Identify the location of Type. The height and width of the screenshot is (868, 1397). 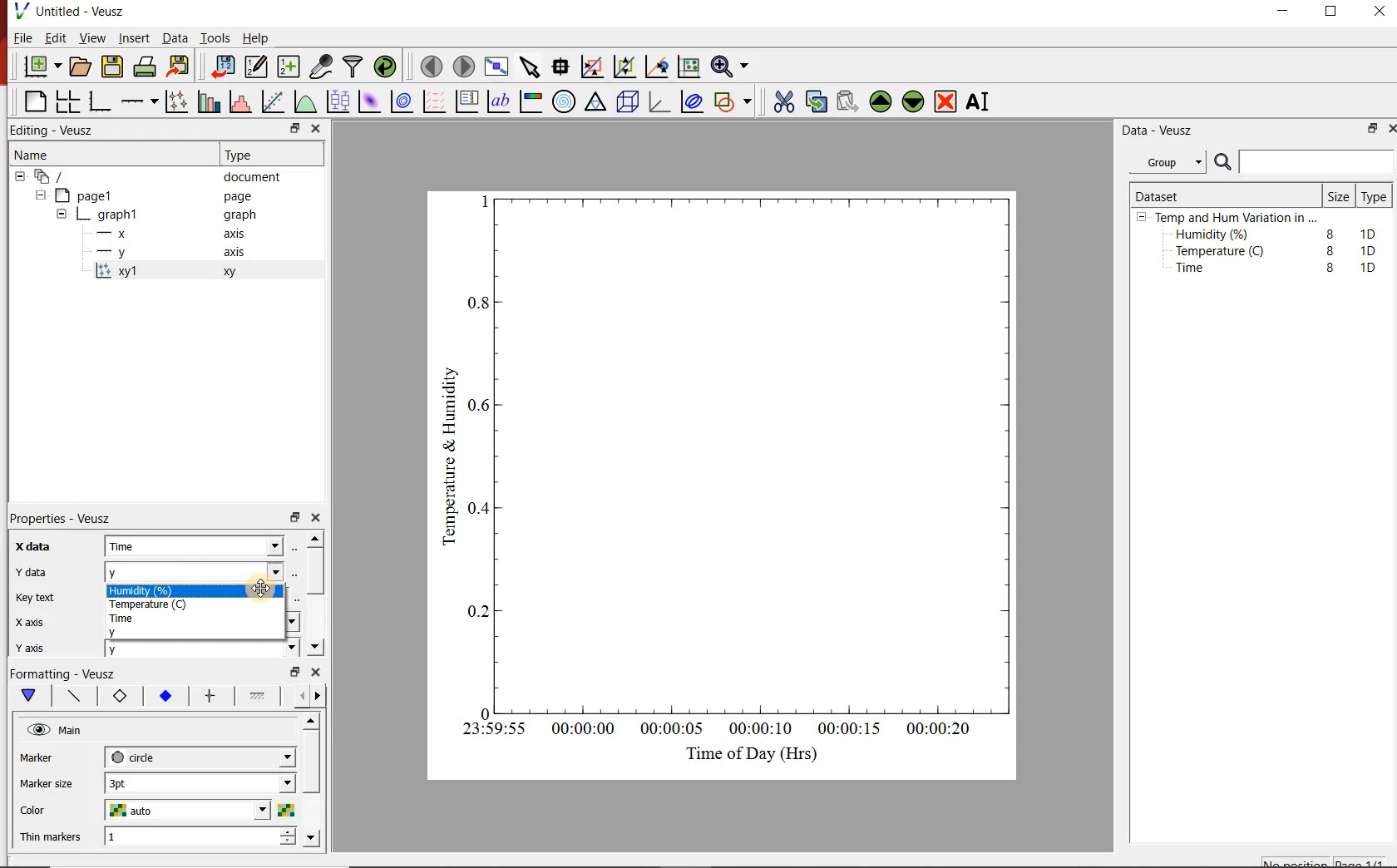
(249, 155).